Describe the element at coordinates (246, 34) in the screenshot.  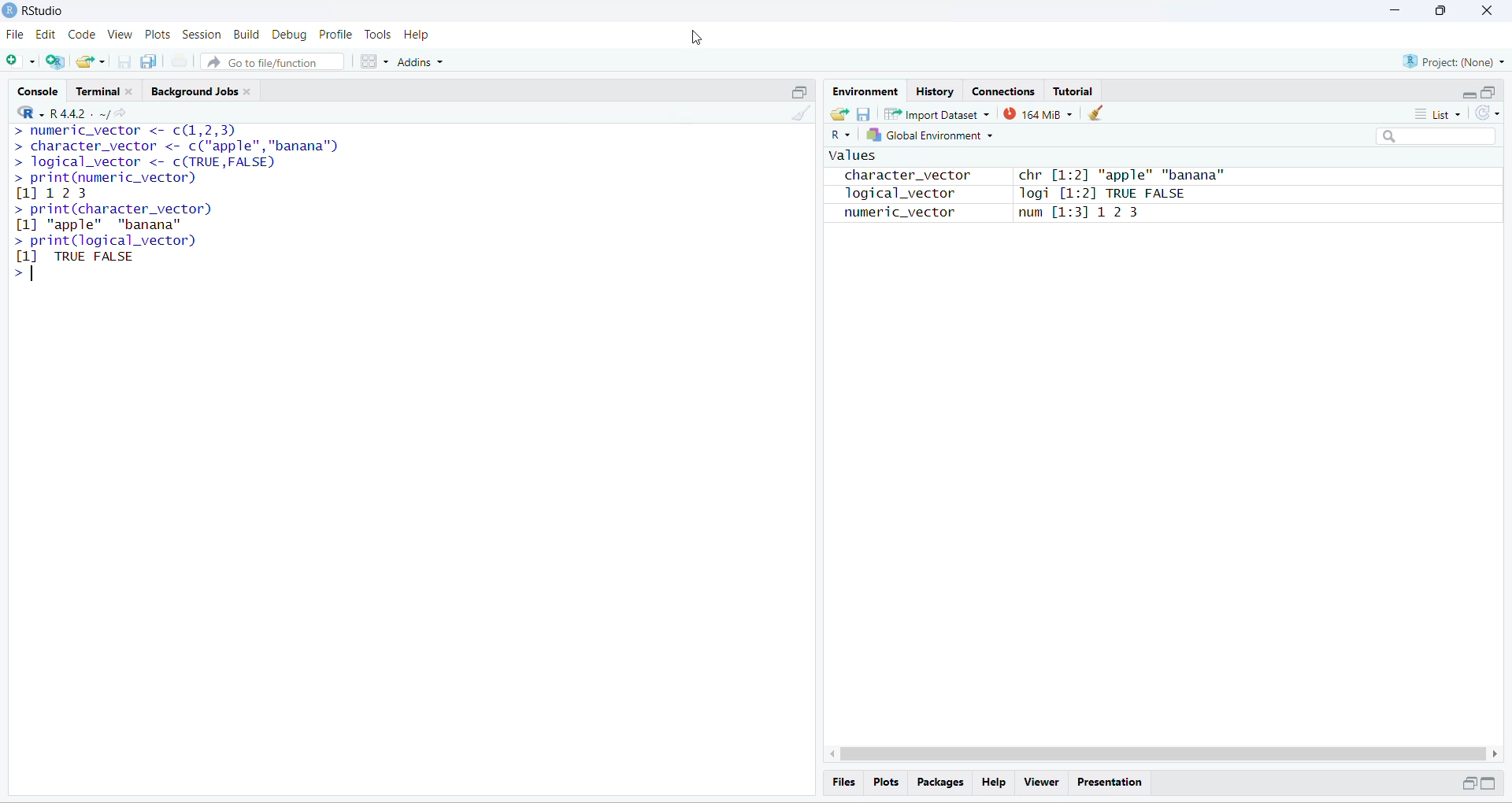
I see `Build` at that location.